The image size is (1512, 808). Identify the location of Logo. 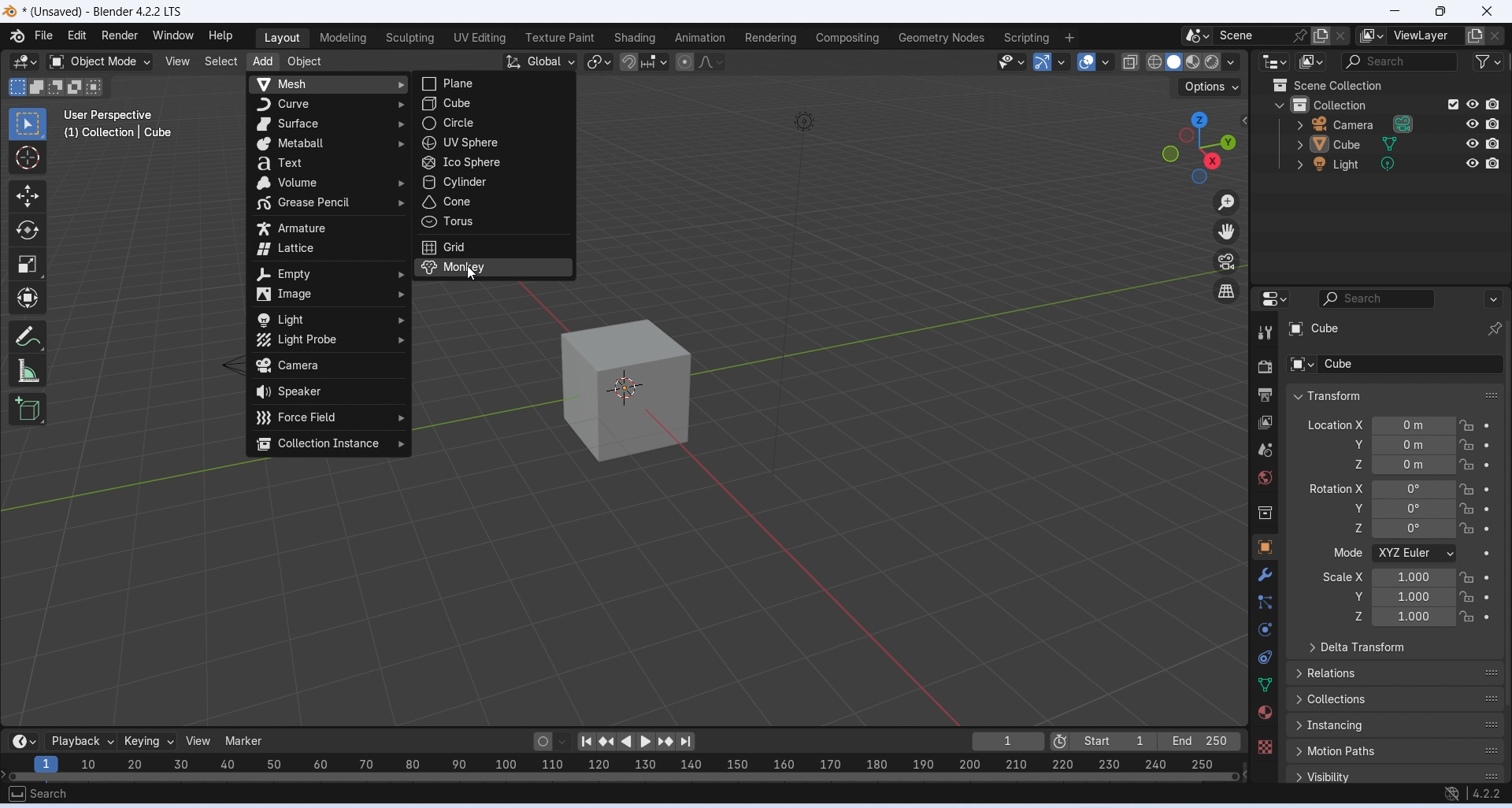
(17, 35).